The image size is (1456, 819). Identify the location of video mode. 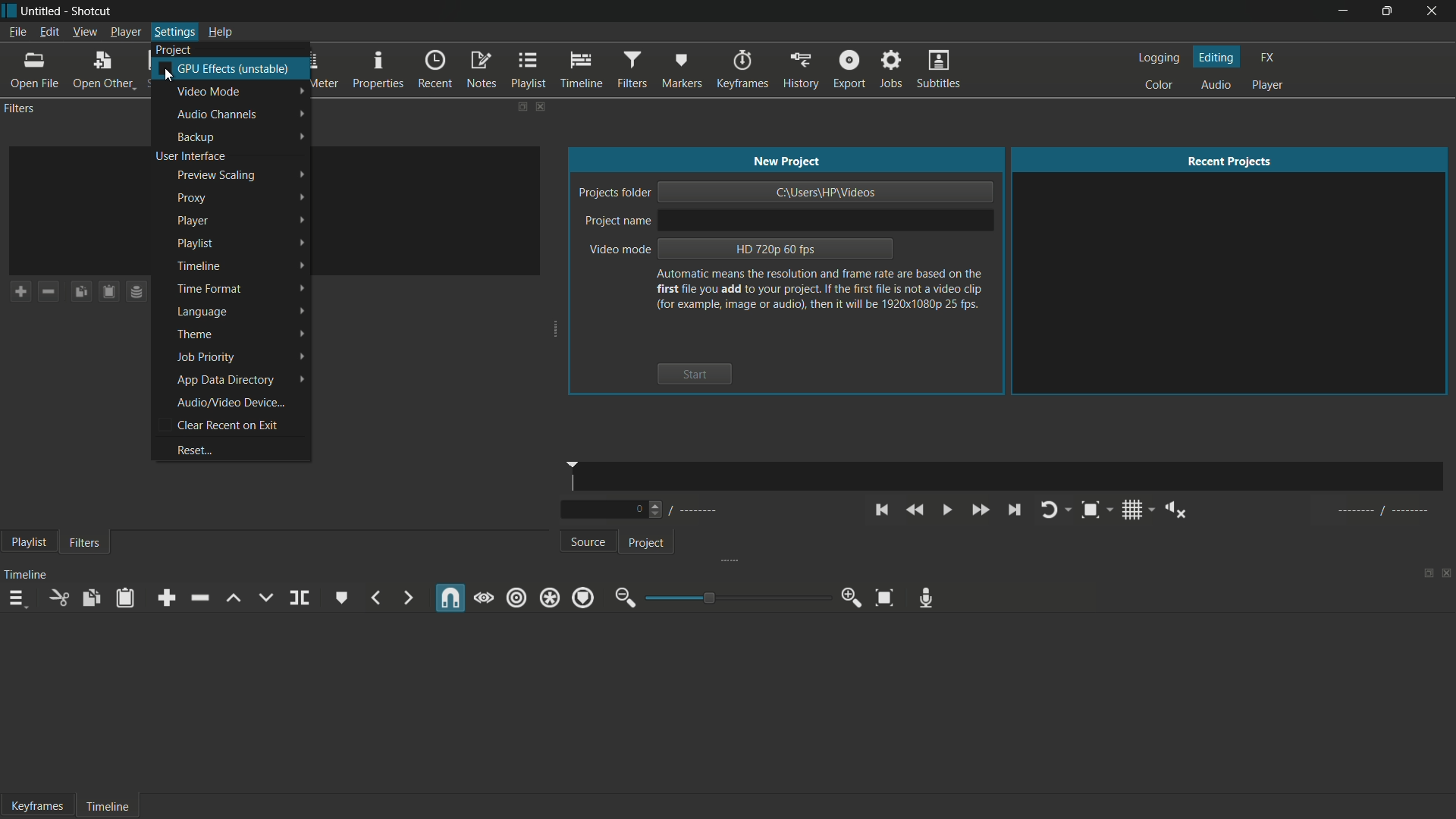
(210, 93).